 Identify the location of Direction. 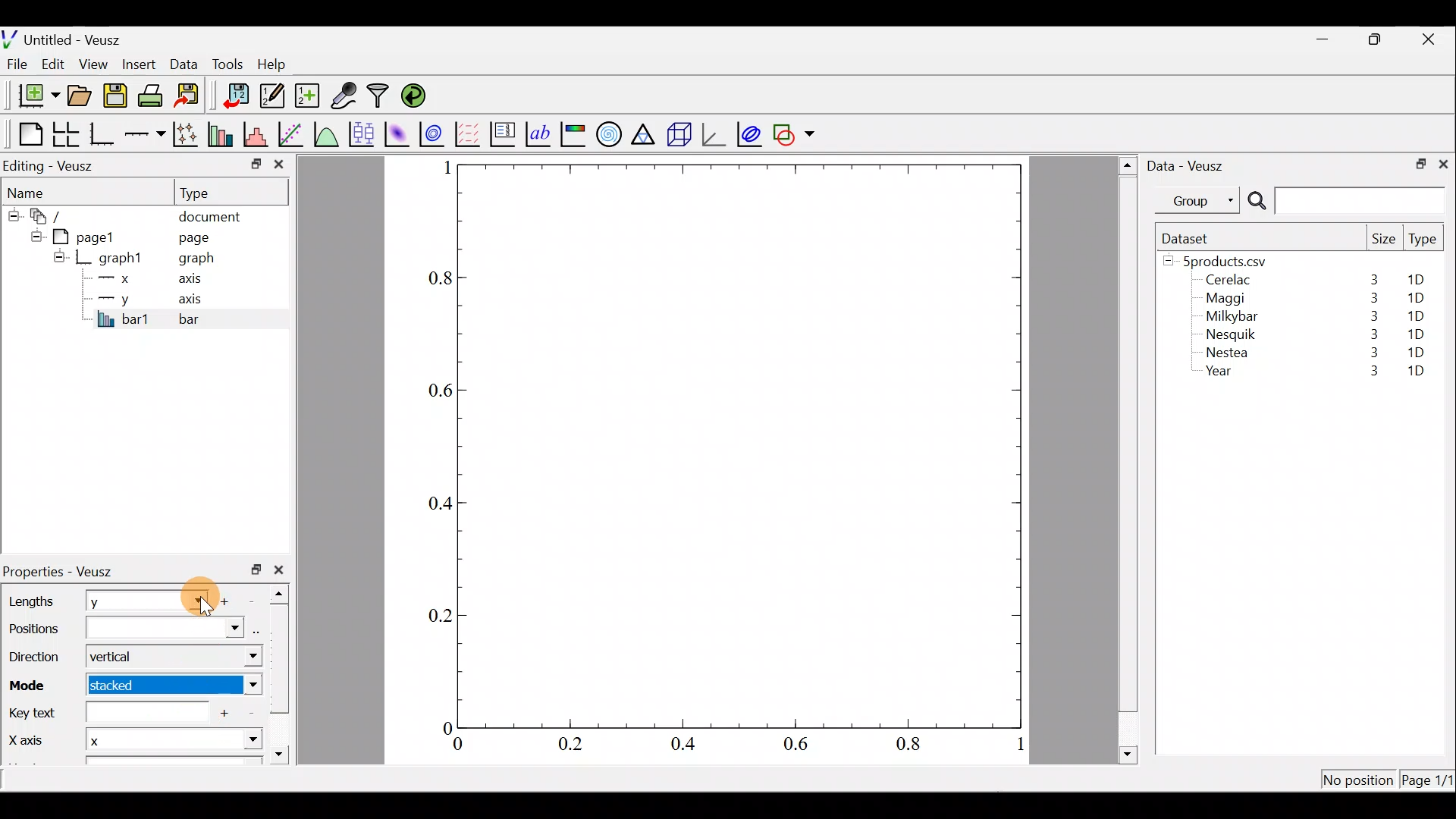
(38, 659).